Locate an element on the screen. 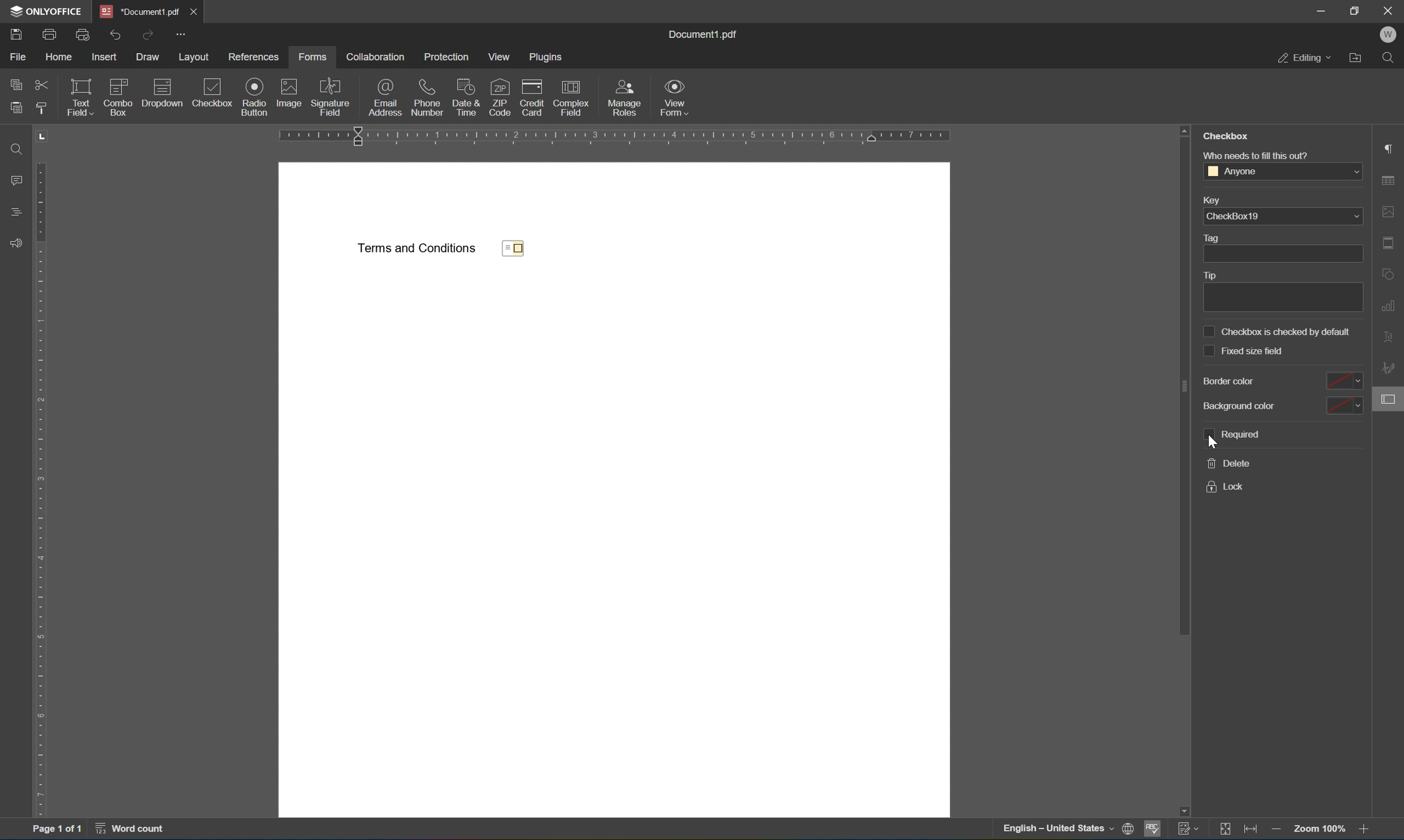 The width and height of the screenshot is (1404, 840). collaboration is located at coordinates (375, 57).